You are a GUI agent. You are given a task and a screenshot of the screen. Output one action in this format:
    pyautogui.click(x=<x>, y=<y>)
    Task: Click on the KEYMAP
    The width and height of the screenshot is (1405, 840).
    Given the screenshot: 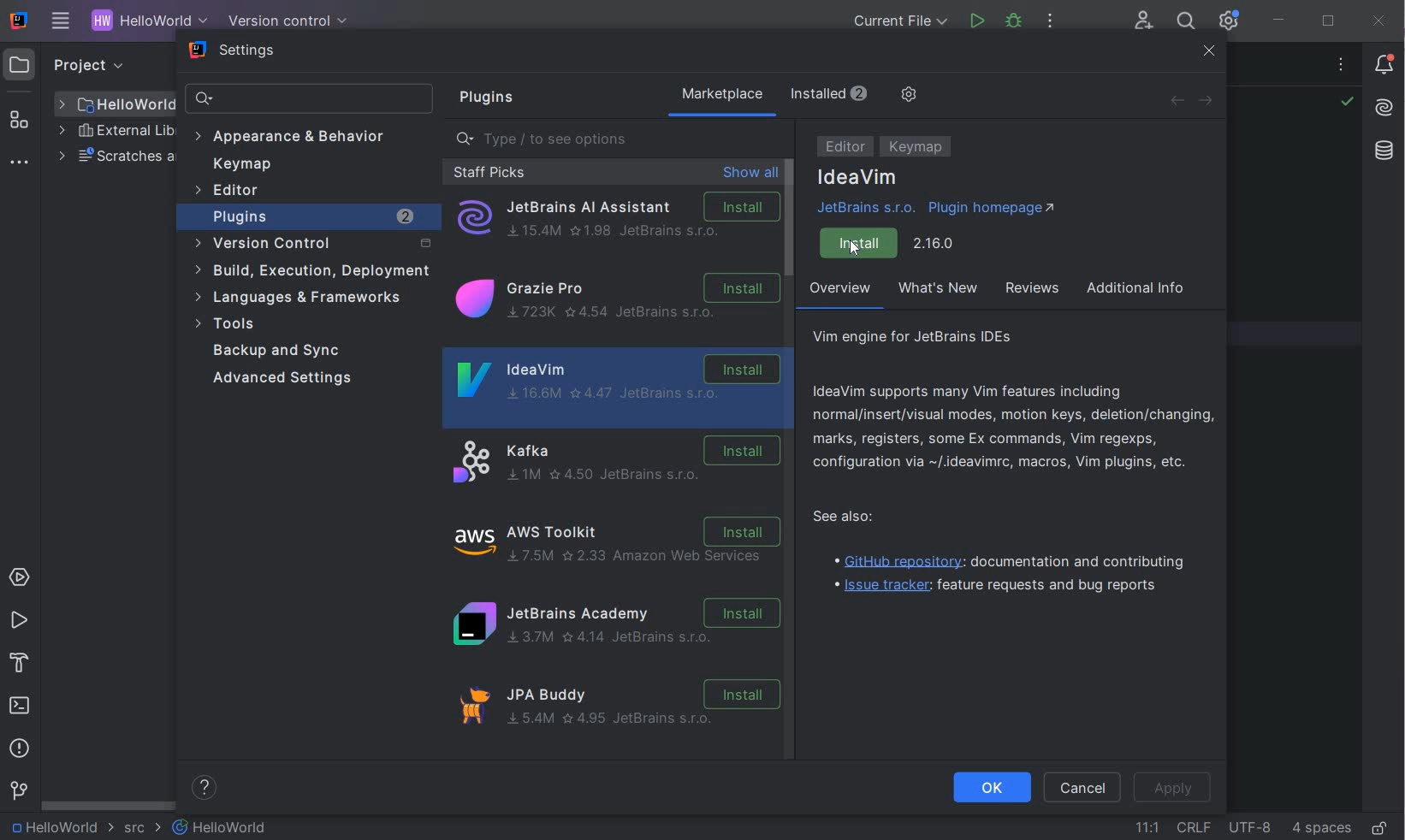 What is the action you would take?
    pyautogui.click(x=917, y=147)
    